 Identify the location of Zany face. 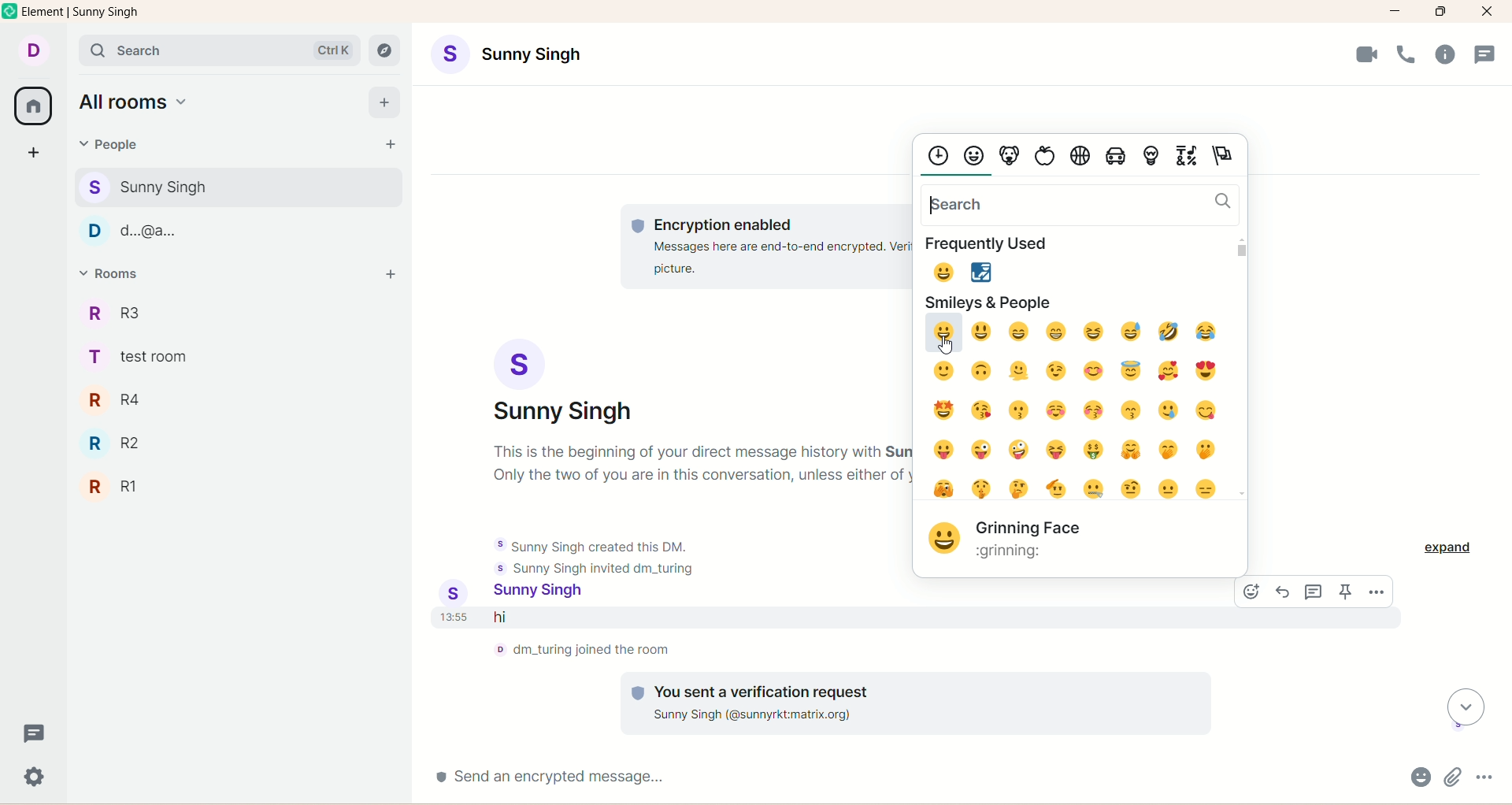
(1019, 450).